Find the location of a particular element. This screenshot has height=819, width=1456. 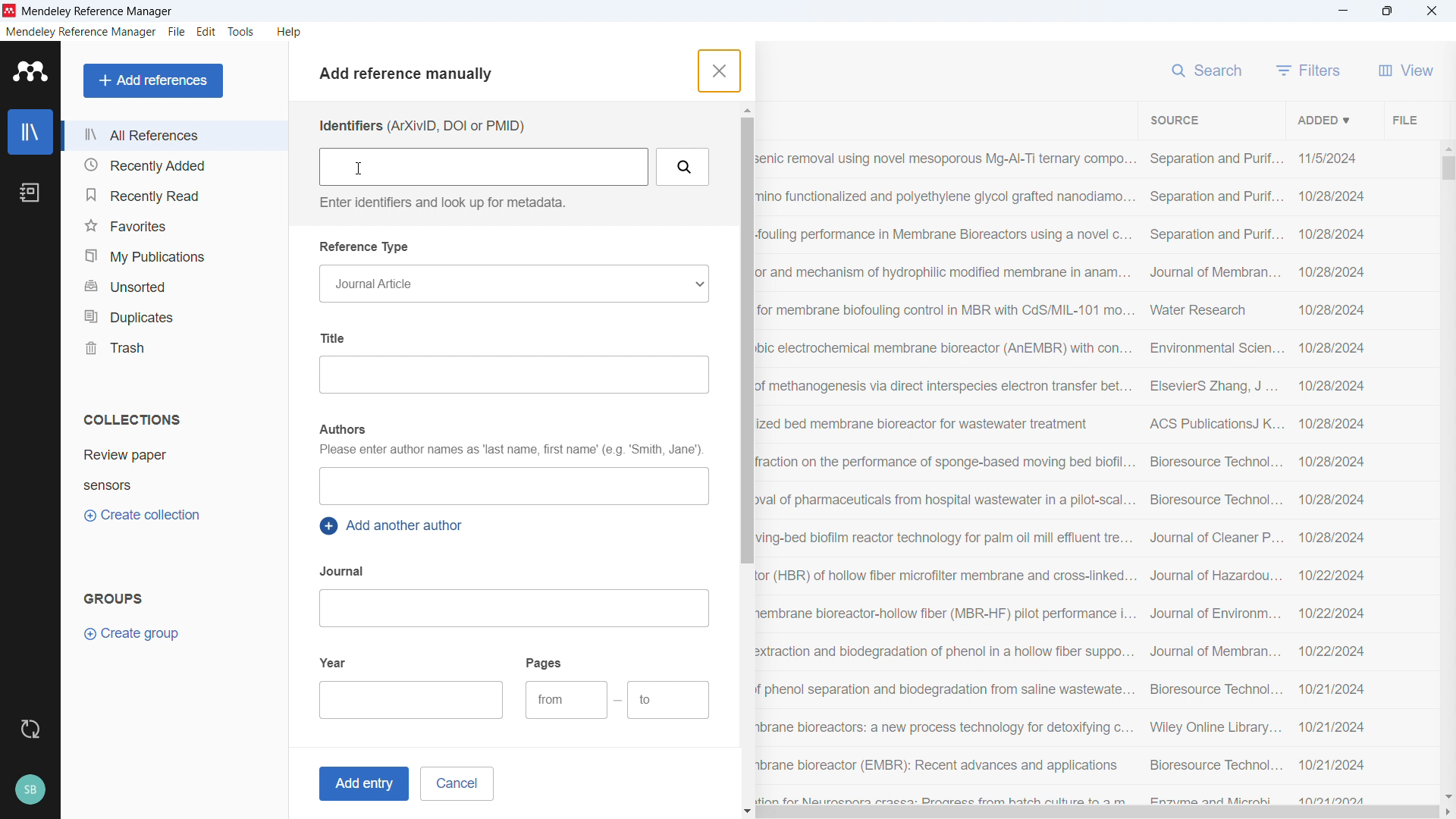

cursor is located at coordinates (359, 168).